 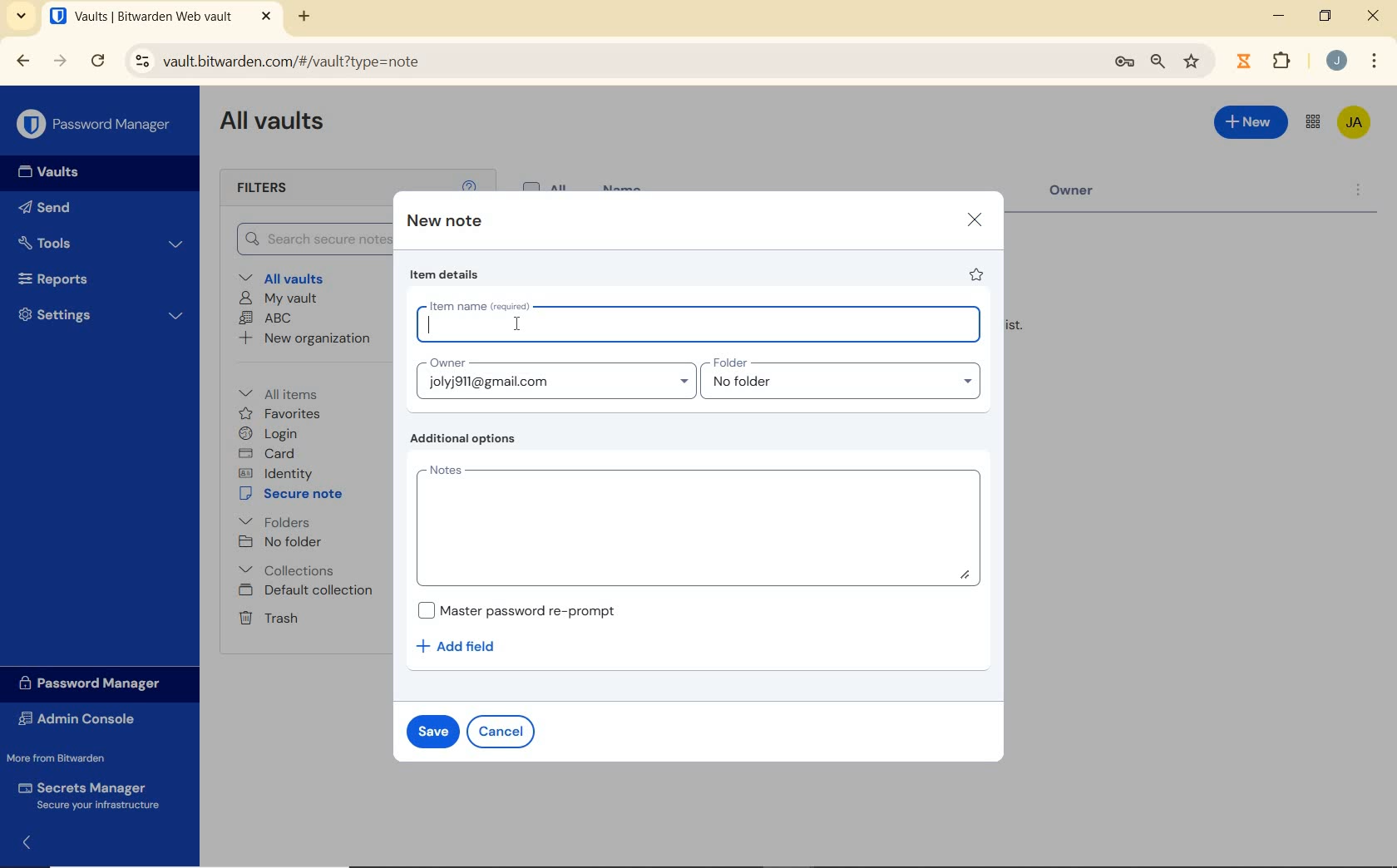 I want to click on ABC, so click(x=266, y=319).